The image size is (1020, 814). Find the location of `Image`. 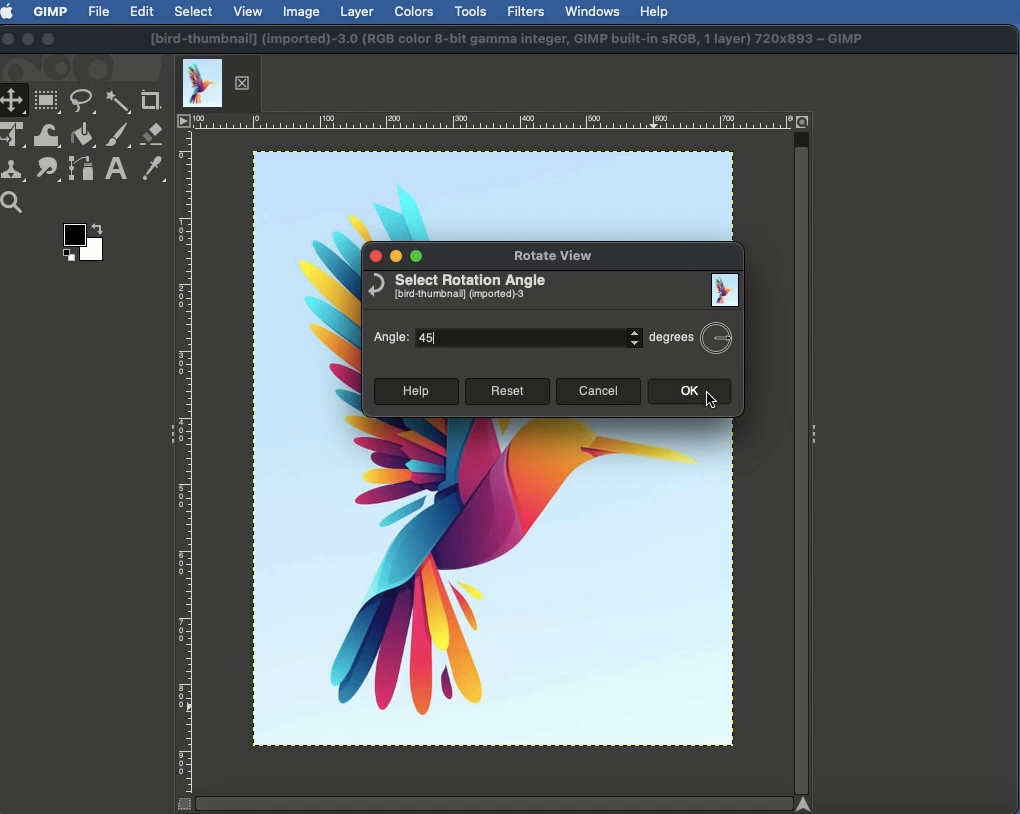

Image is located at coordinates (727, 291).